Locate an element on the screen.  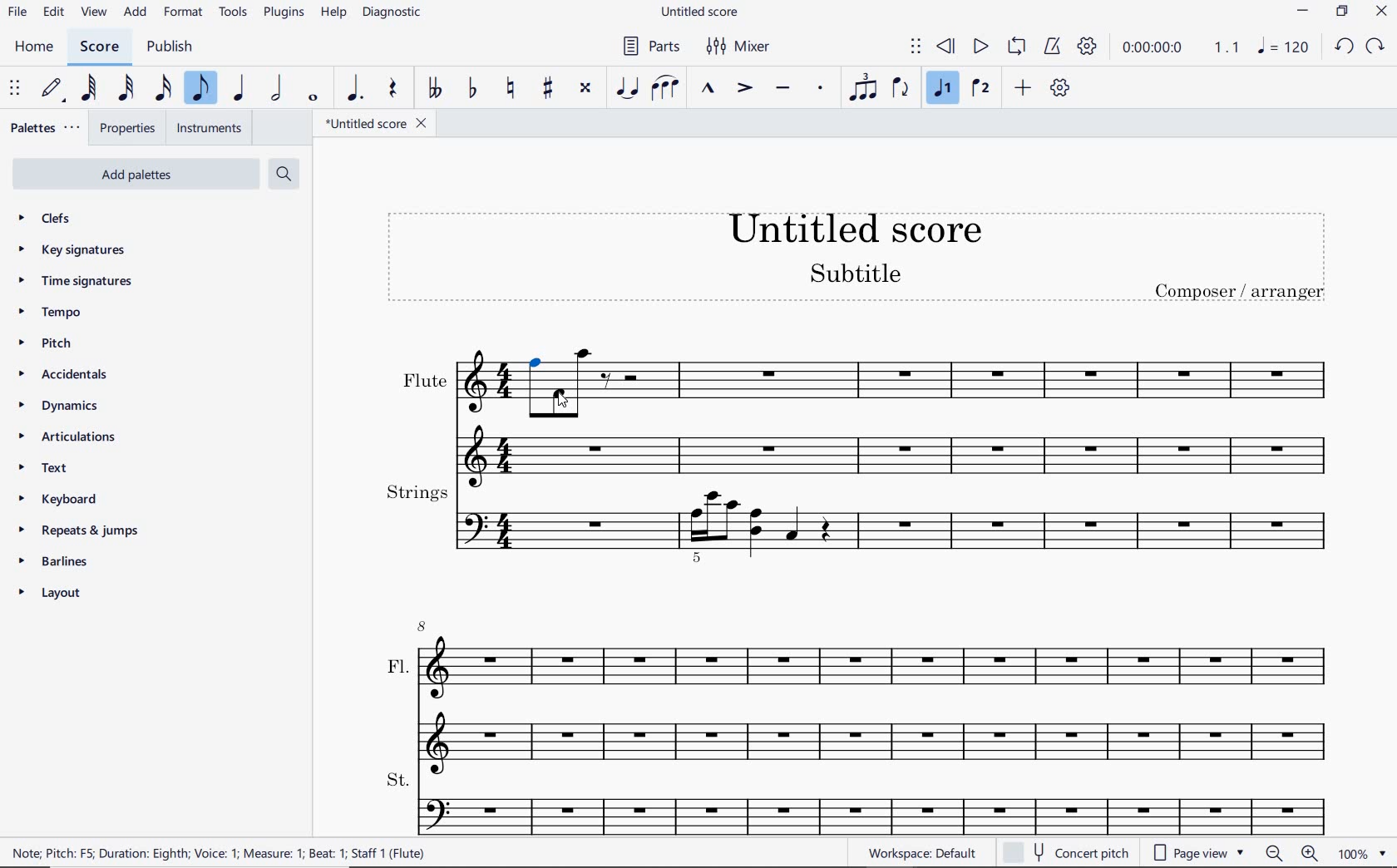
layout is located at coordinates (51, 595).